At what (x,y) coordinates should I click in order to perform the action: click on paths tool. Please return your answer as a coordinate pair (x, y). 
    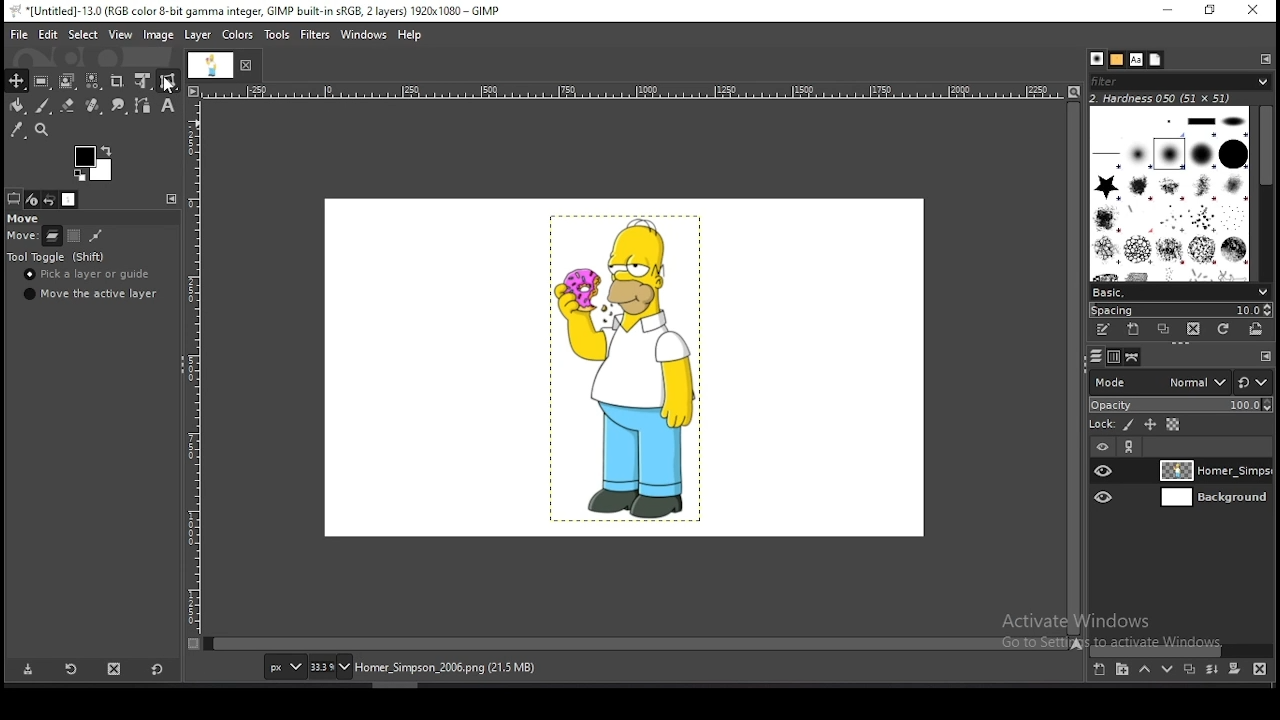
    Looking at the image, I should click on (142, 105).